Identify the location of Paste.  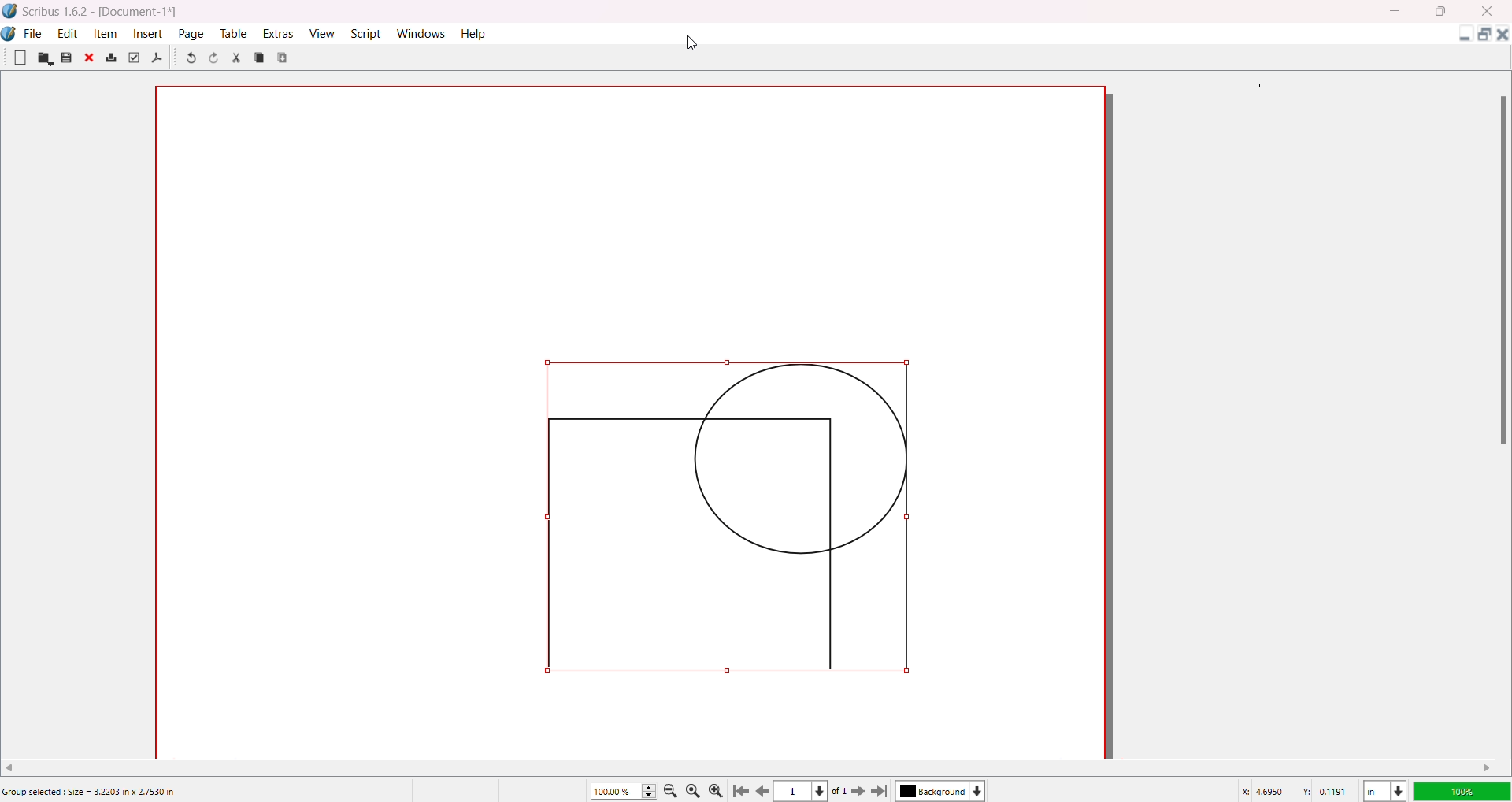
(284, 57).